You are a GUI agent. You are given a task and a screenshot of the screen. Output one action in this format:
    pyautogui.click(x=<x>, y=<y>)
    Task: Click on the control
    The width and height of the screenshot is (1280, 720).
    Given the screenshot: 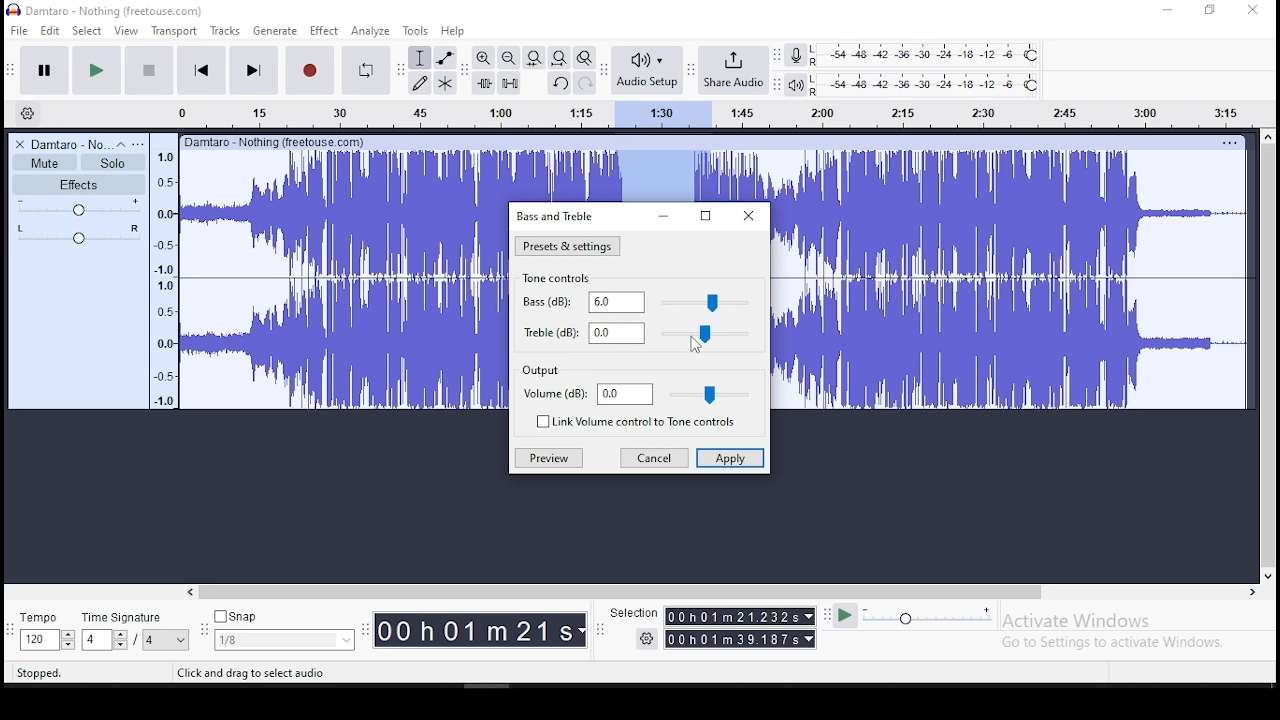 What is the action you would take?
    pyautogui.click(x=711, y=393)
    